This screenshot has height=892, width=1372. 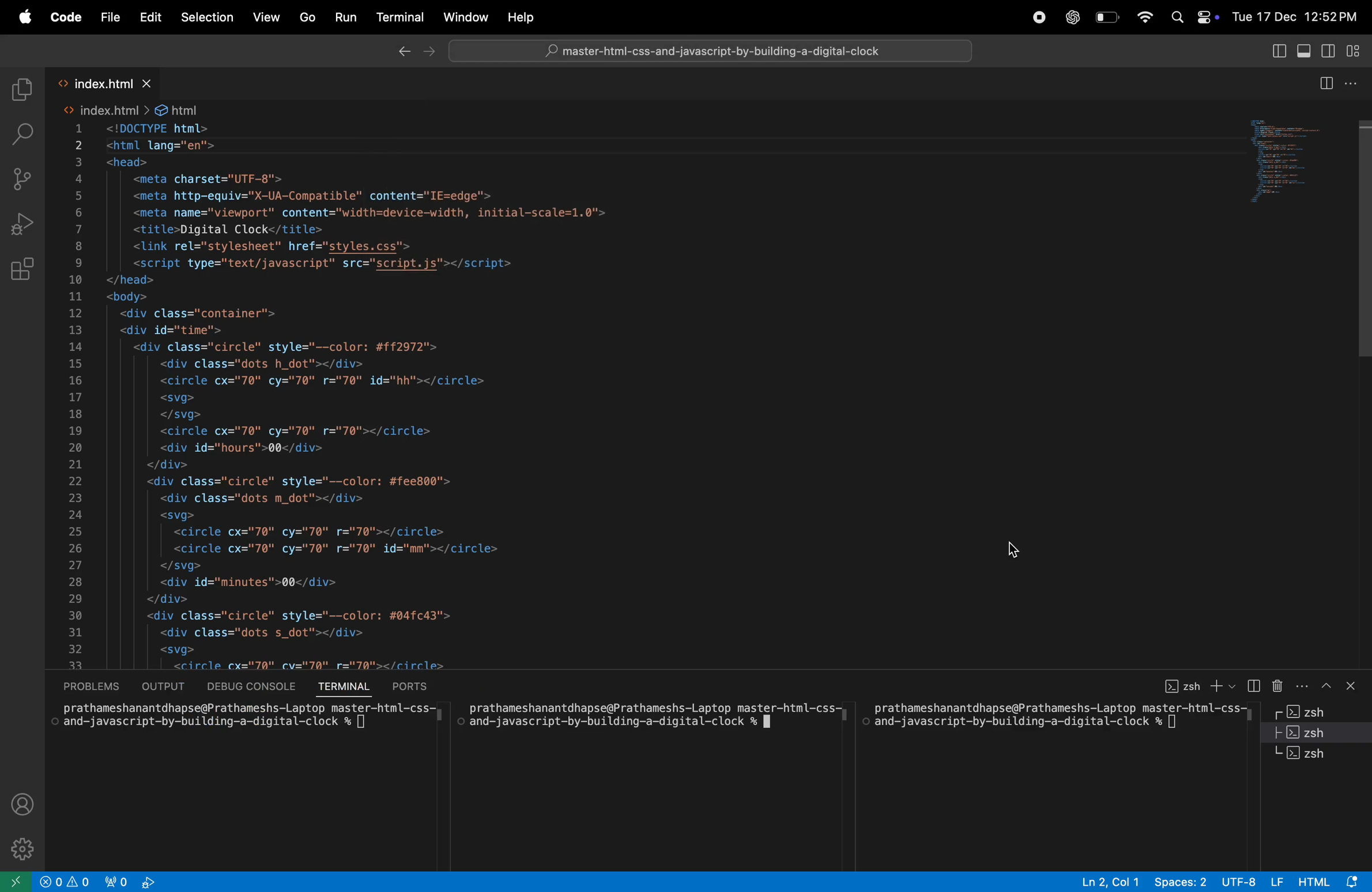 What do you see at coordinates (428, 51) in the screenshot?
I see `Forward` at bounding box center [428, 51].